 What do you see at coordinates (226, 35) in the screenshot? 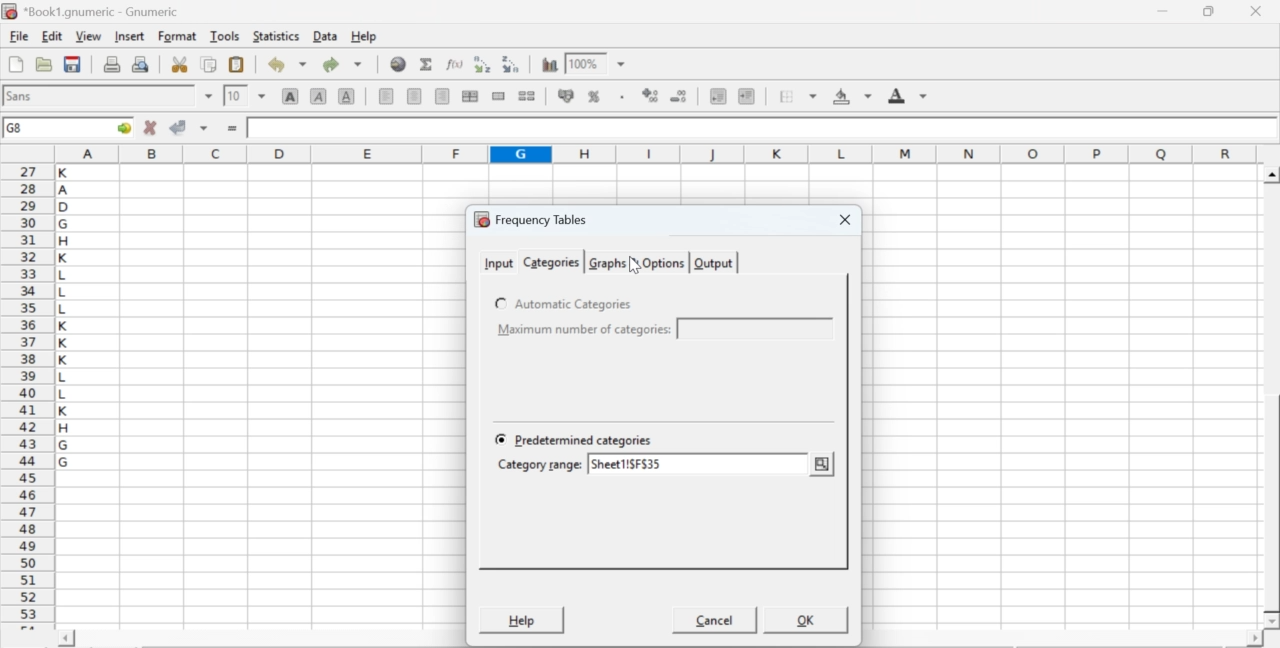
I see `tools` at bounding box center [226, 35].